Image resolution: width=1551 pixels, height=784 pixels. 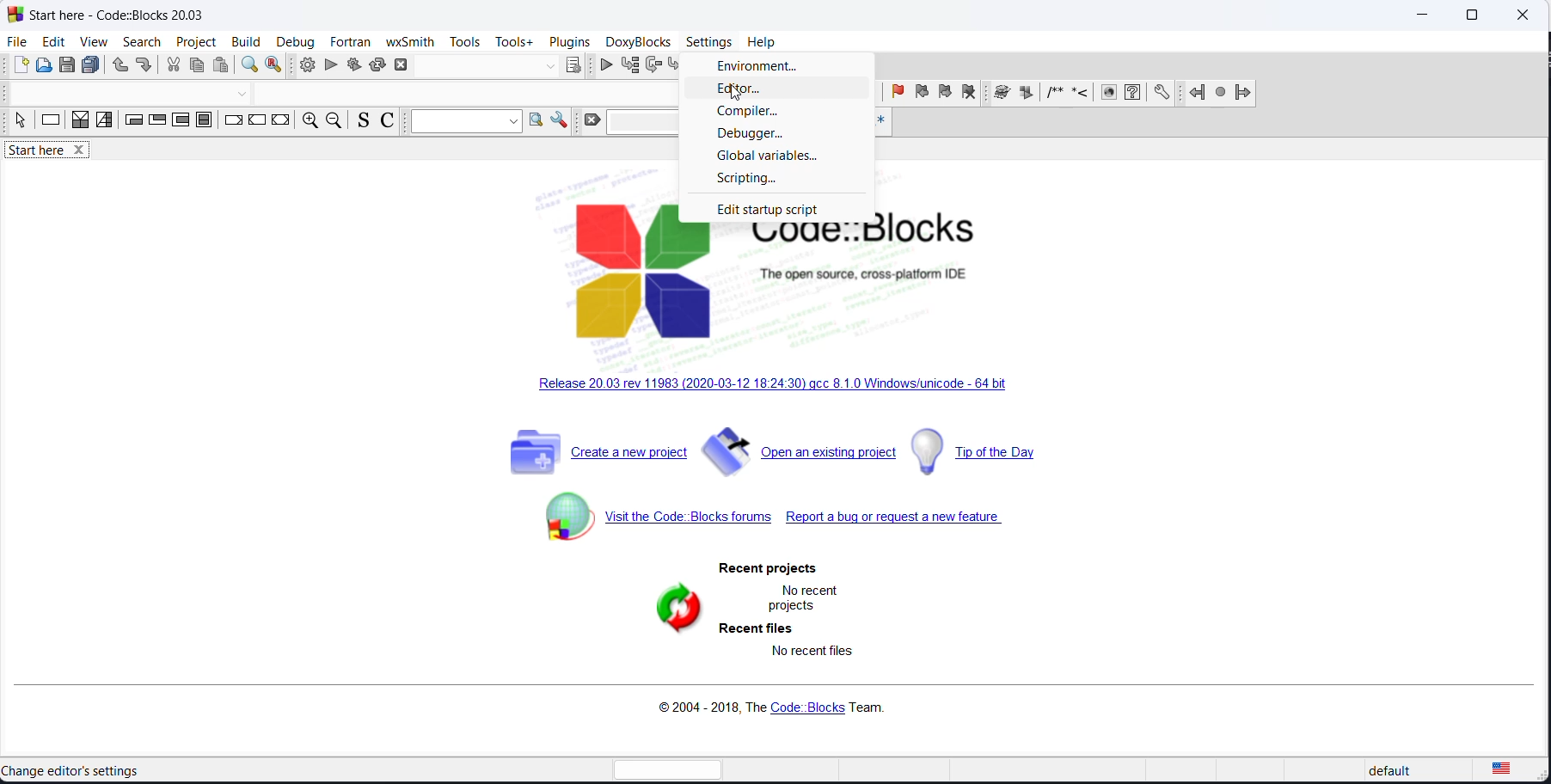 I want to click on start here, so click(x=76, y=770).